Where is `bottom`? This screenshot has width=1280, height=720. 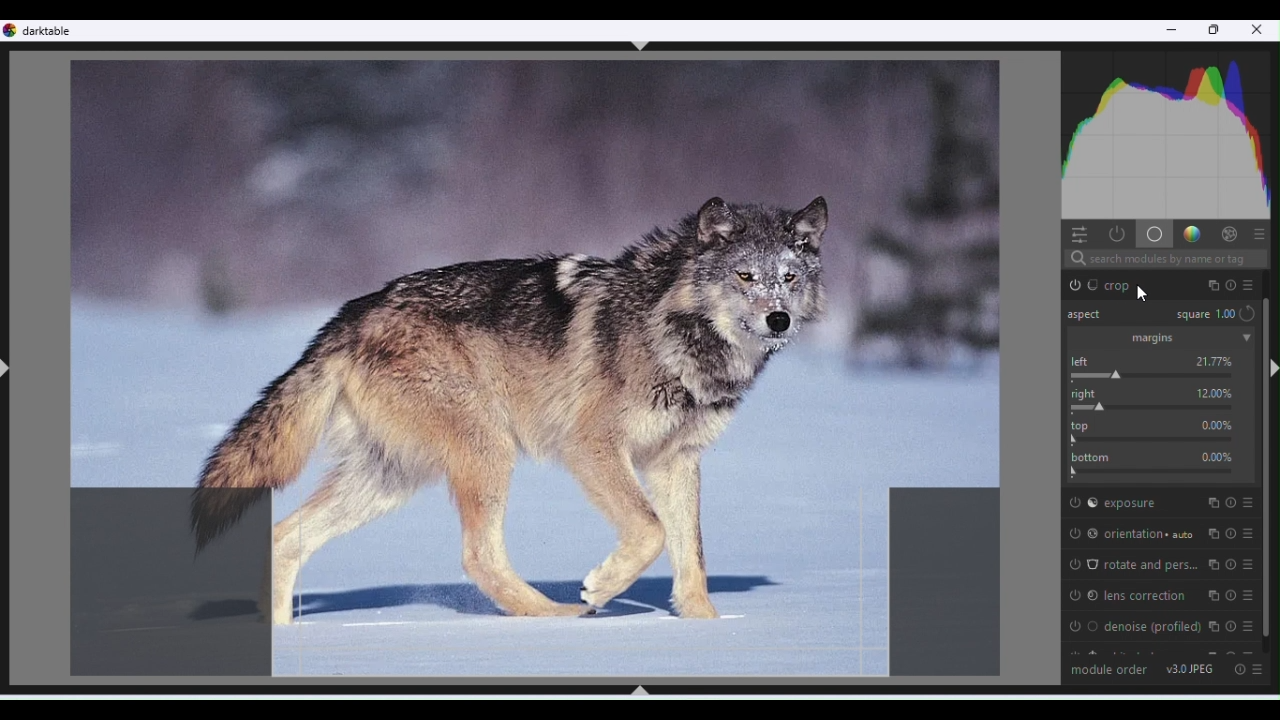
bottom is located at coordinates (1090, 455).